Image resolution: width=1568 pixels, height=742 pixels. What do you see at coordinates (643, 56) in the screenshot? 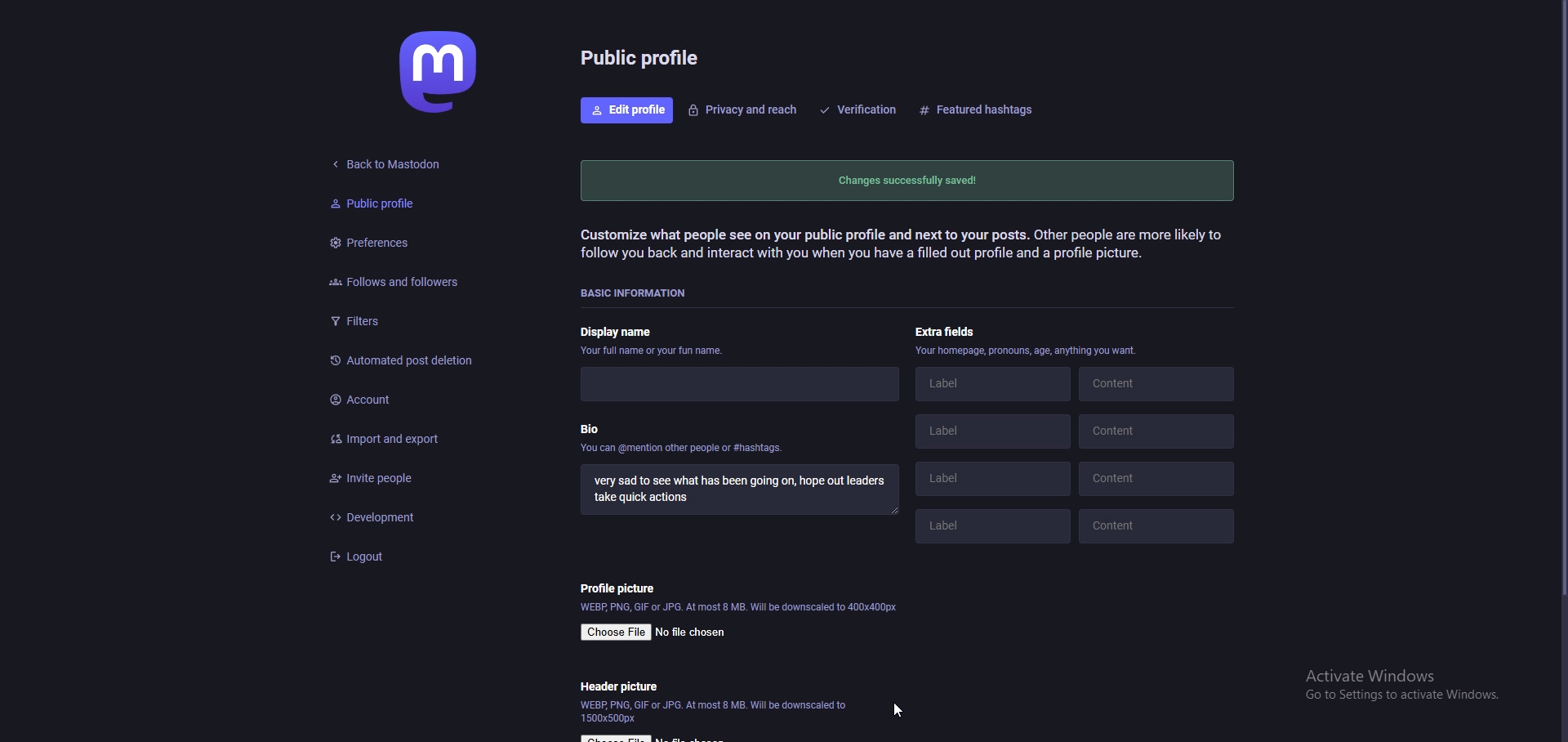
I see `public profile` at bounding box center [643, 56].